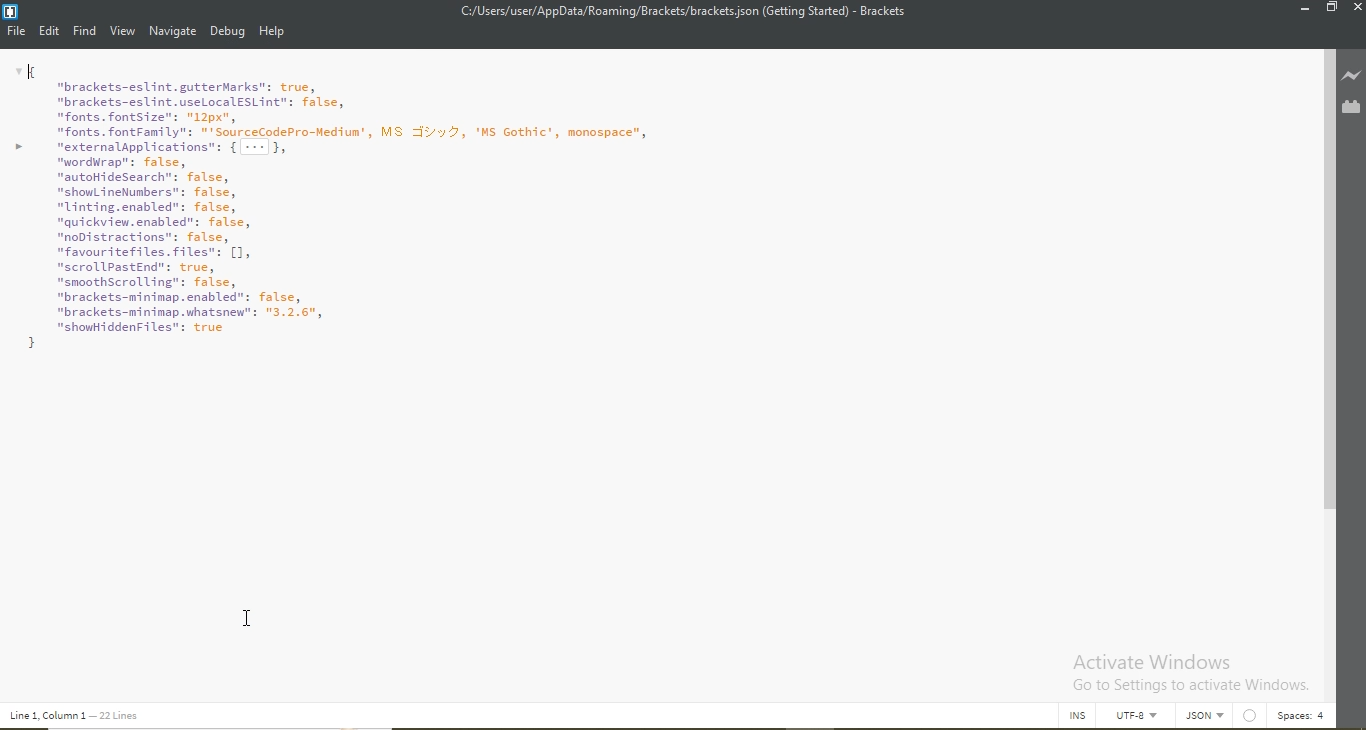  What do you see at coordinates (273, 33) in the screenshot?
I see `Help` at bounding box center [273, 33].